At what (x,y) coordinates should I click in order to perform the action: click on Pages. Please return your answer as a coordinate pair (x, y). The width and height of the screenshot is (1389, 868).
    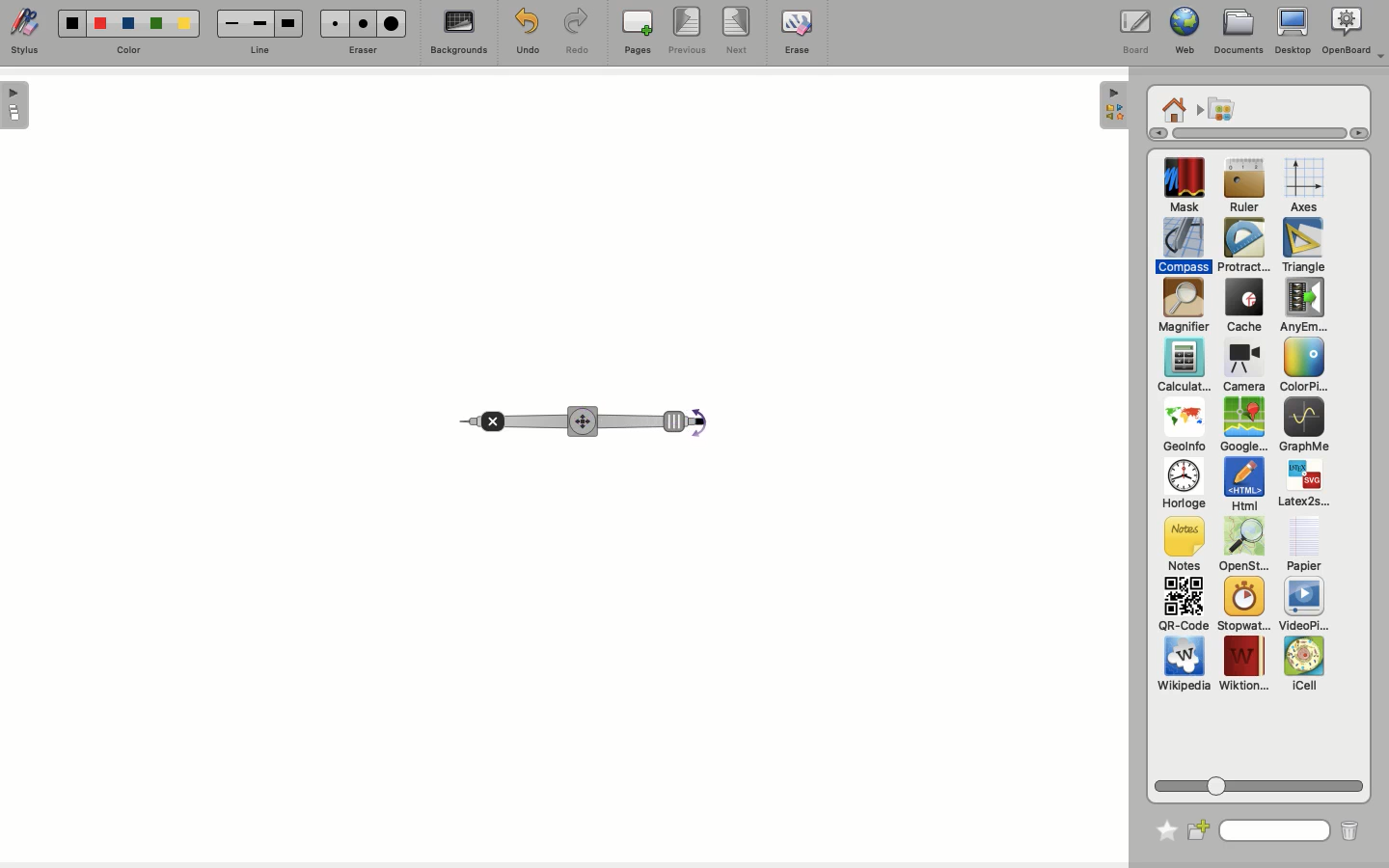
    Looking at the image, I should click on (638, 34).